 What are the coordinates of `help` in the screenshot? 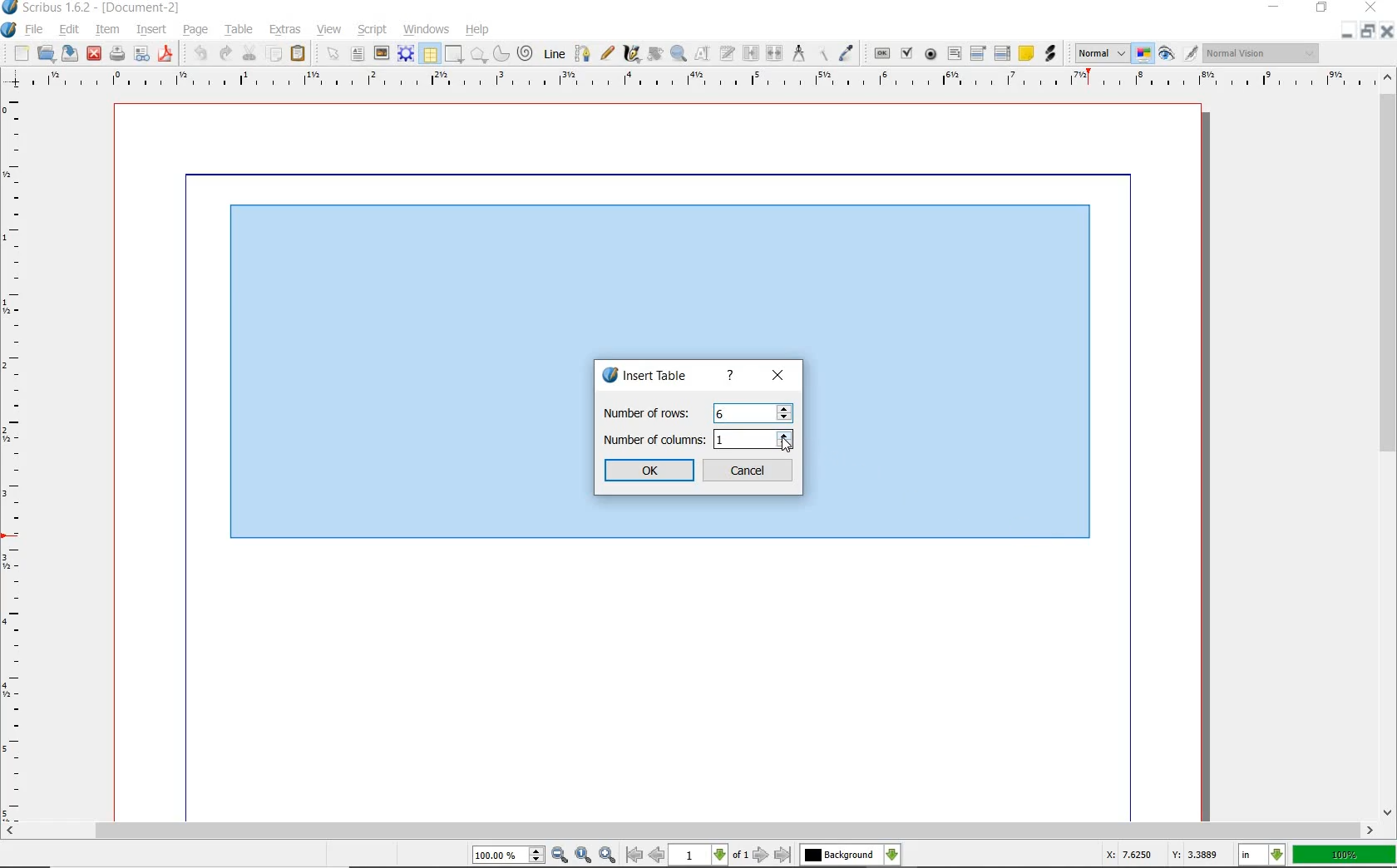 It's located at (480, 32).